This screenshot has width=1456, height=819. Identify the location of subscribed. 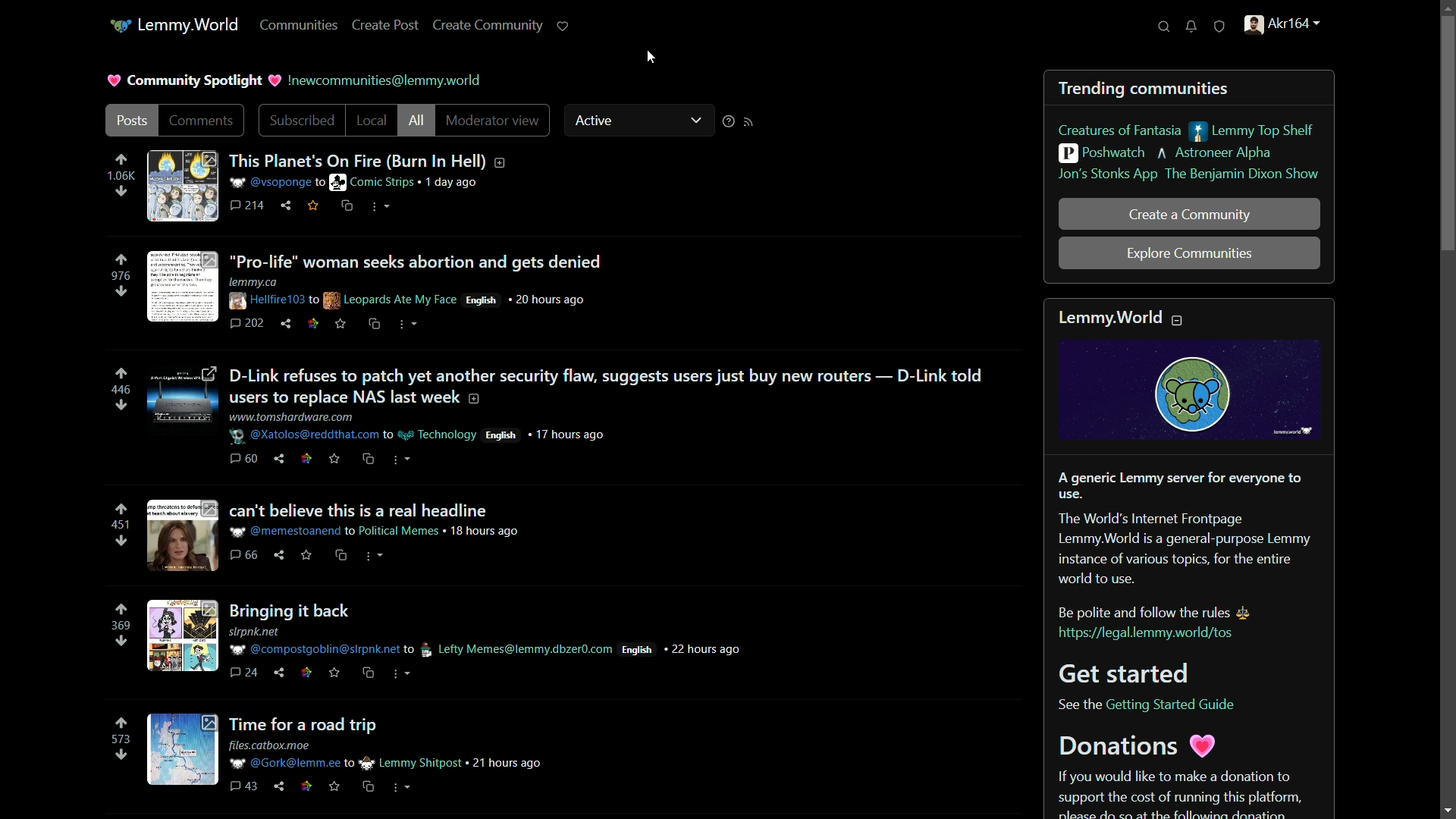
(303, 121).